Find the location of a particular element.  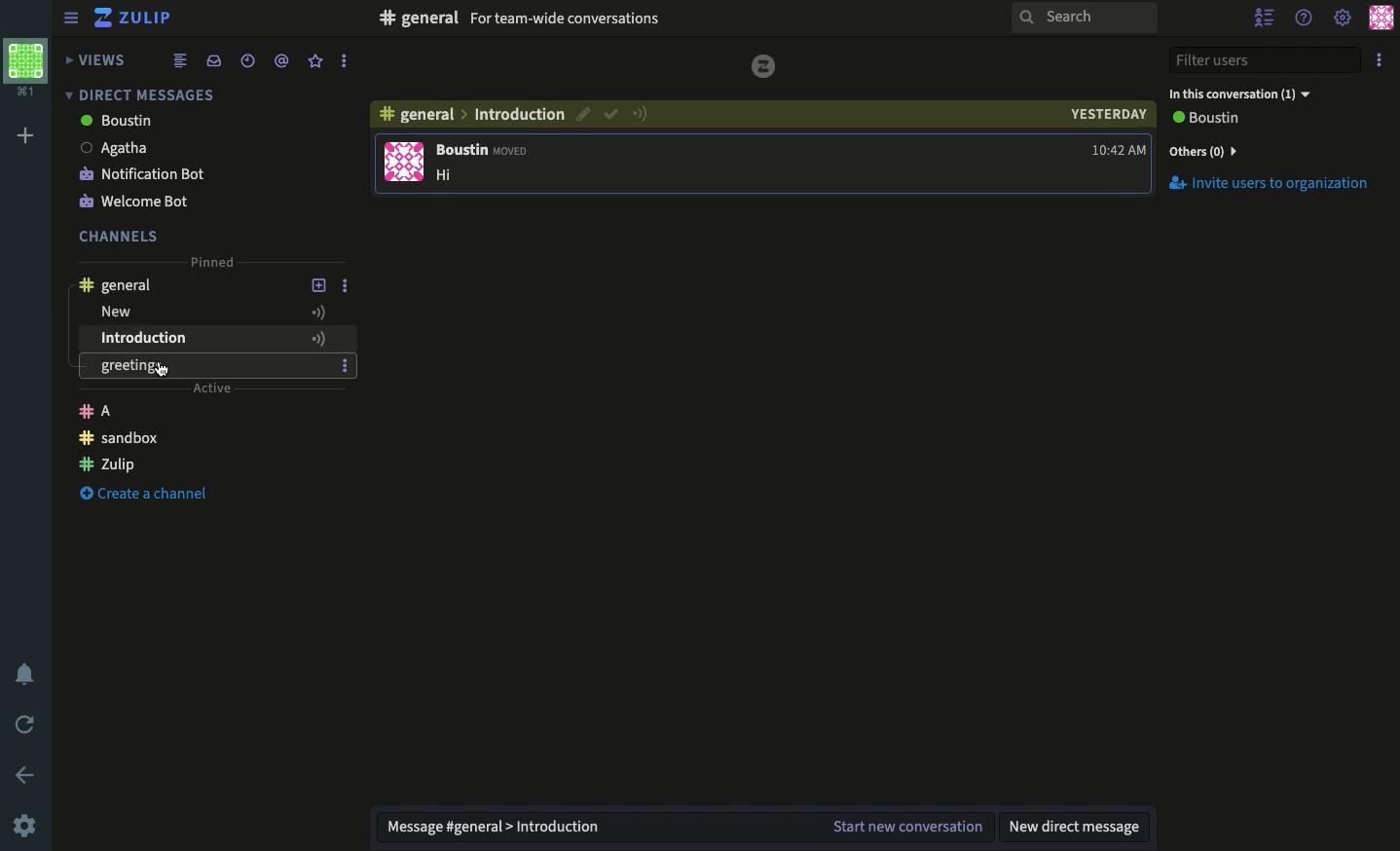

For team wide conversations is located at coordinates (567, 19).